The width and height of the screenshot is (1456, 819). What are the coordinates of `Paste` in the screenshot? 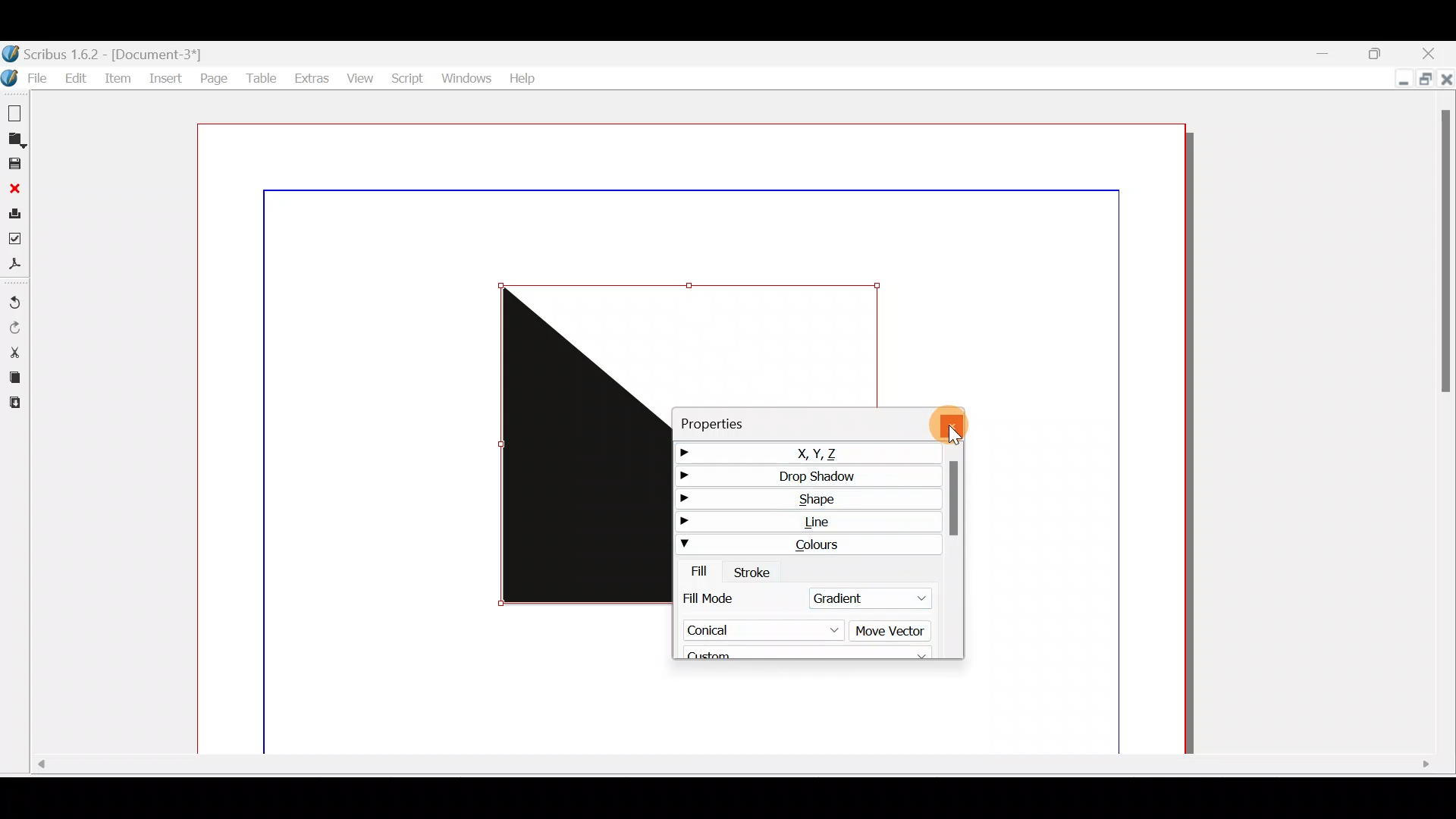 It's located at (19, 403).